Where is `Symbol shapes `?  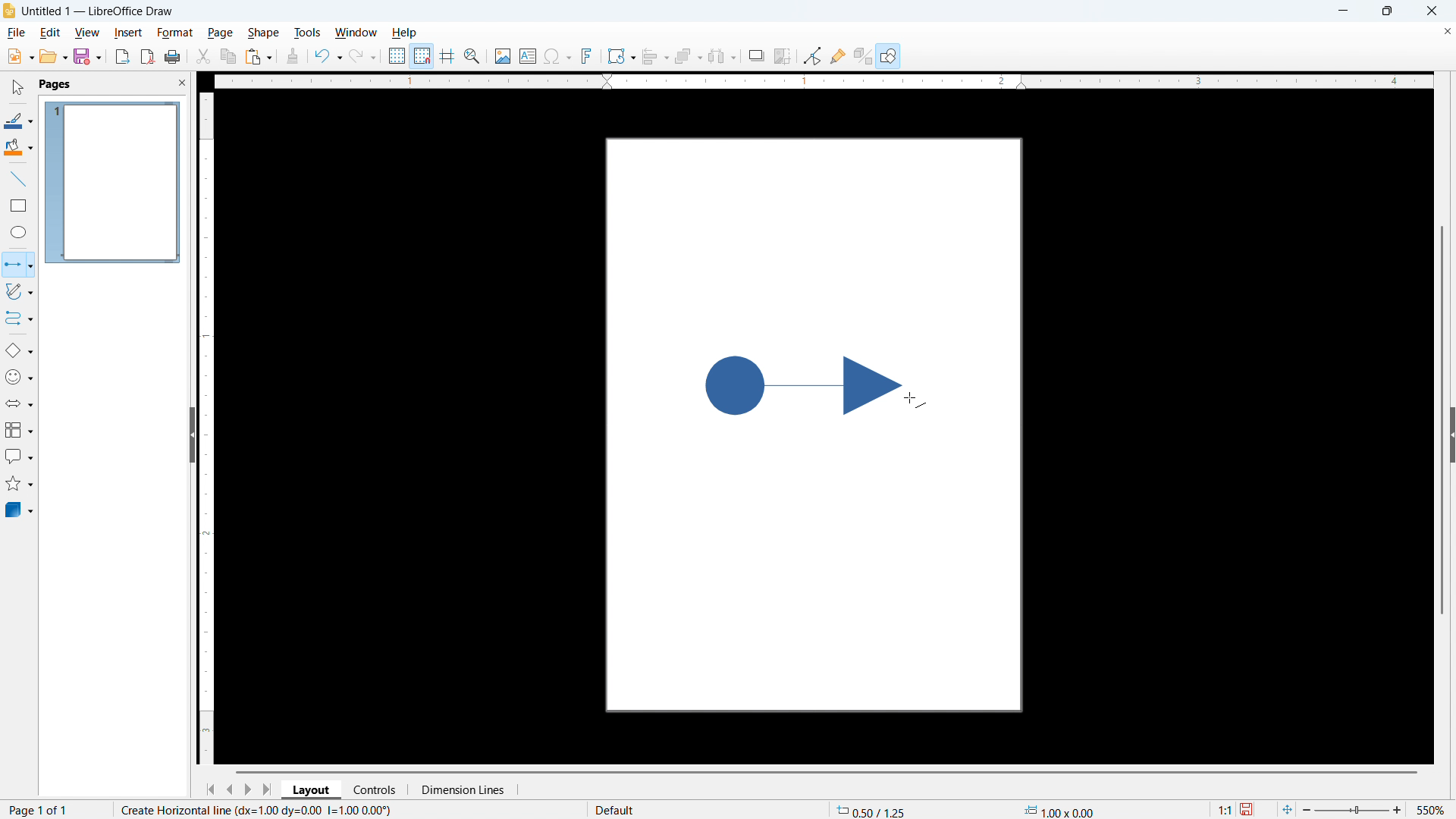
Symbol shapes  is located at coordinates (19, 377).